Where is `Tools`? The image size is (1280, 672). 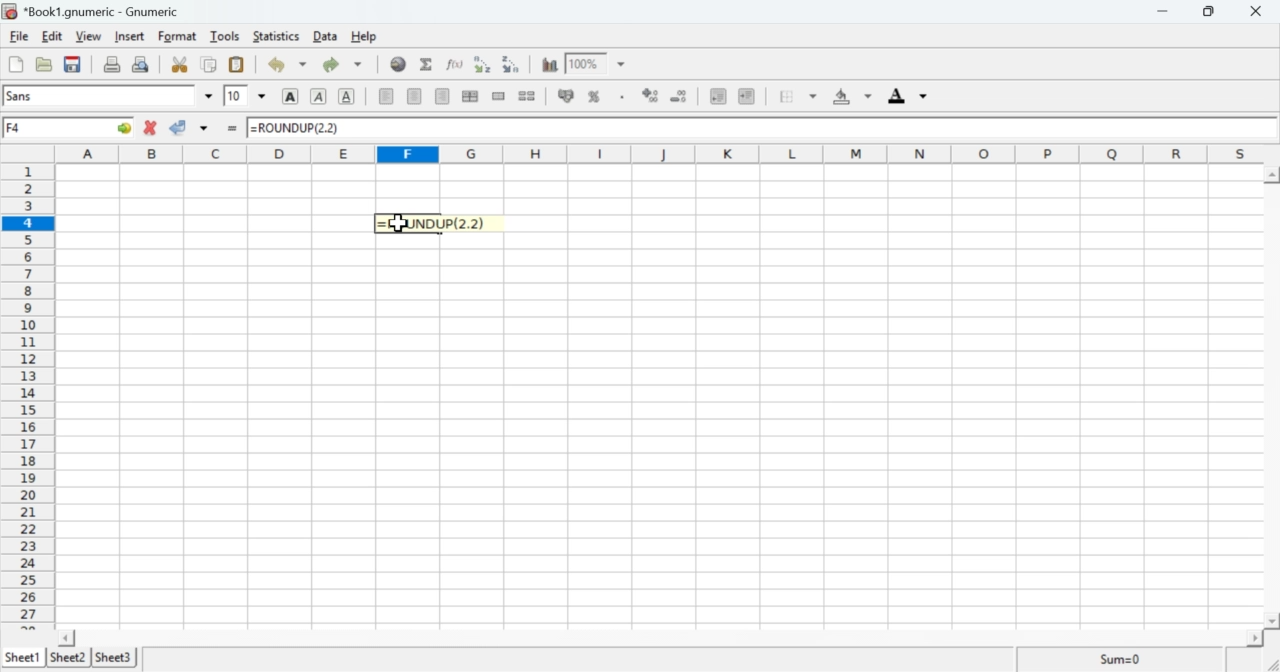 Tools is located at coordinates (226, 36).